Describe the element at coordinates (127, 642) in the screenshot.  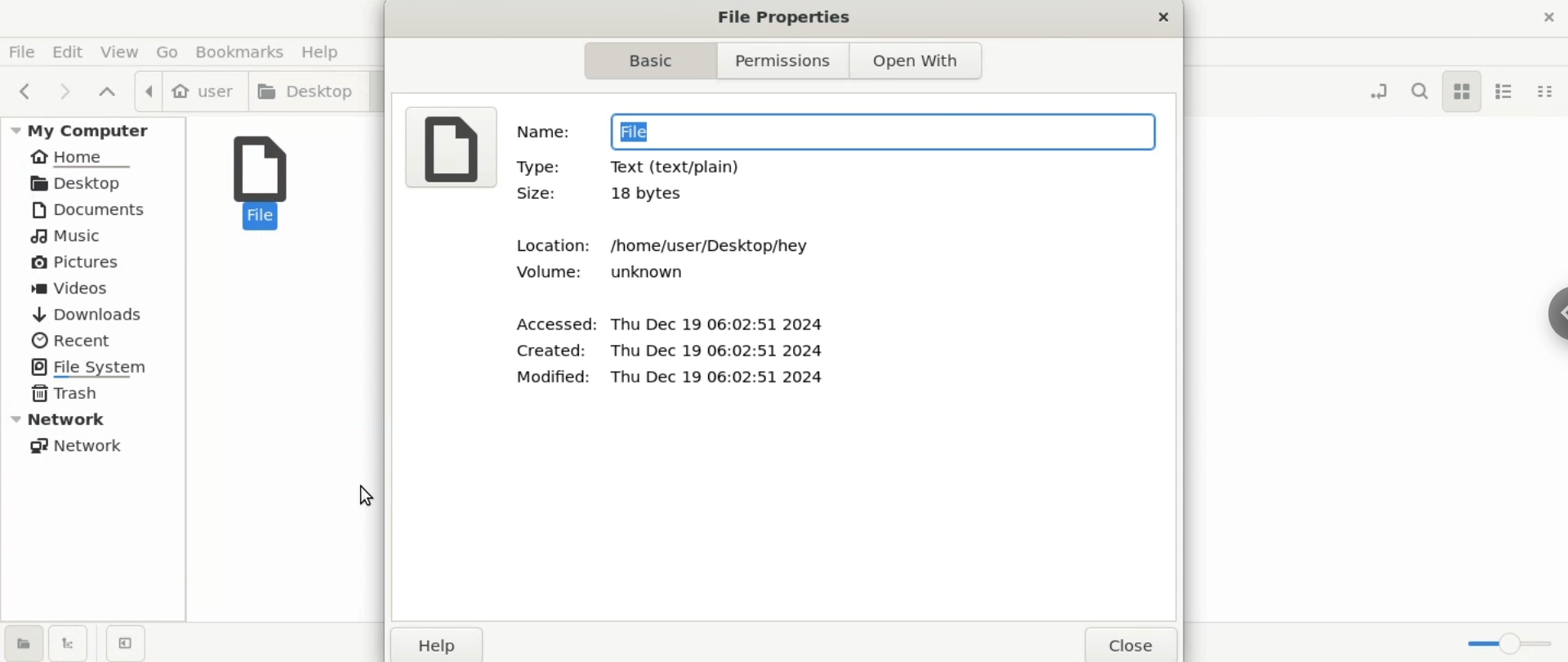
I see `close sidebar` at that location.